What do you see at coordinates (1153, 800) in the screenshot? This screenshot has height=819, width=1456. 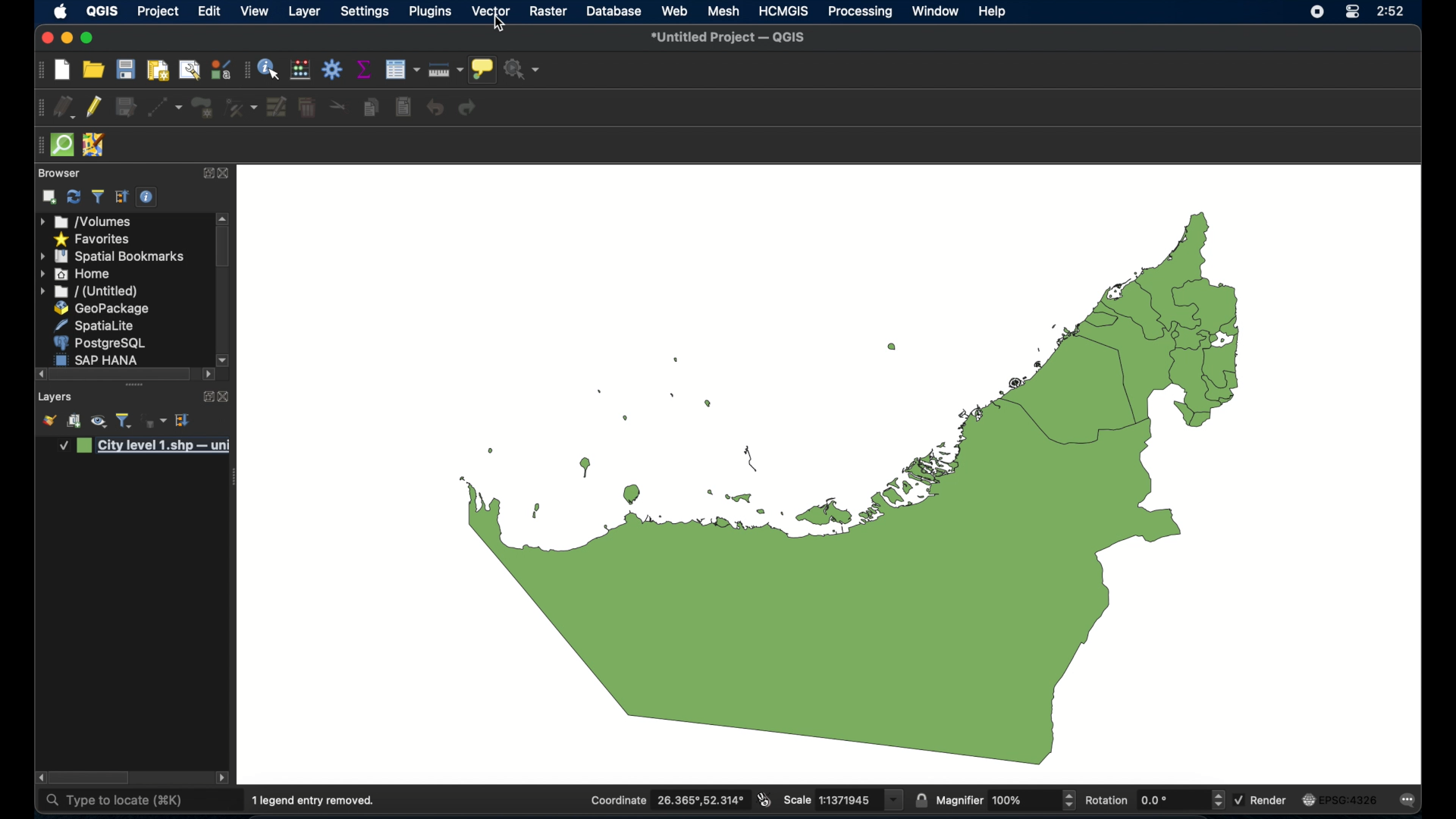 I see `rotation` at bounding box center [1153, 800].